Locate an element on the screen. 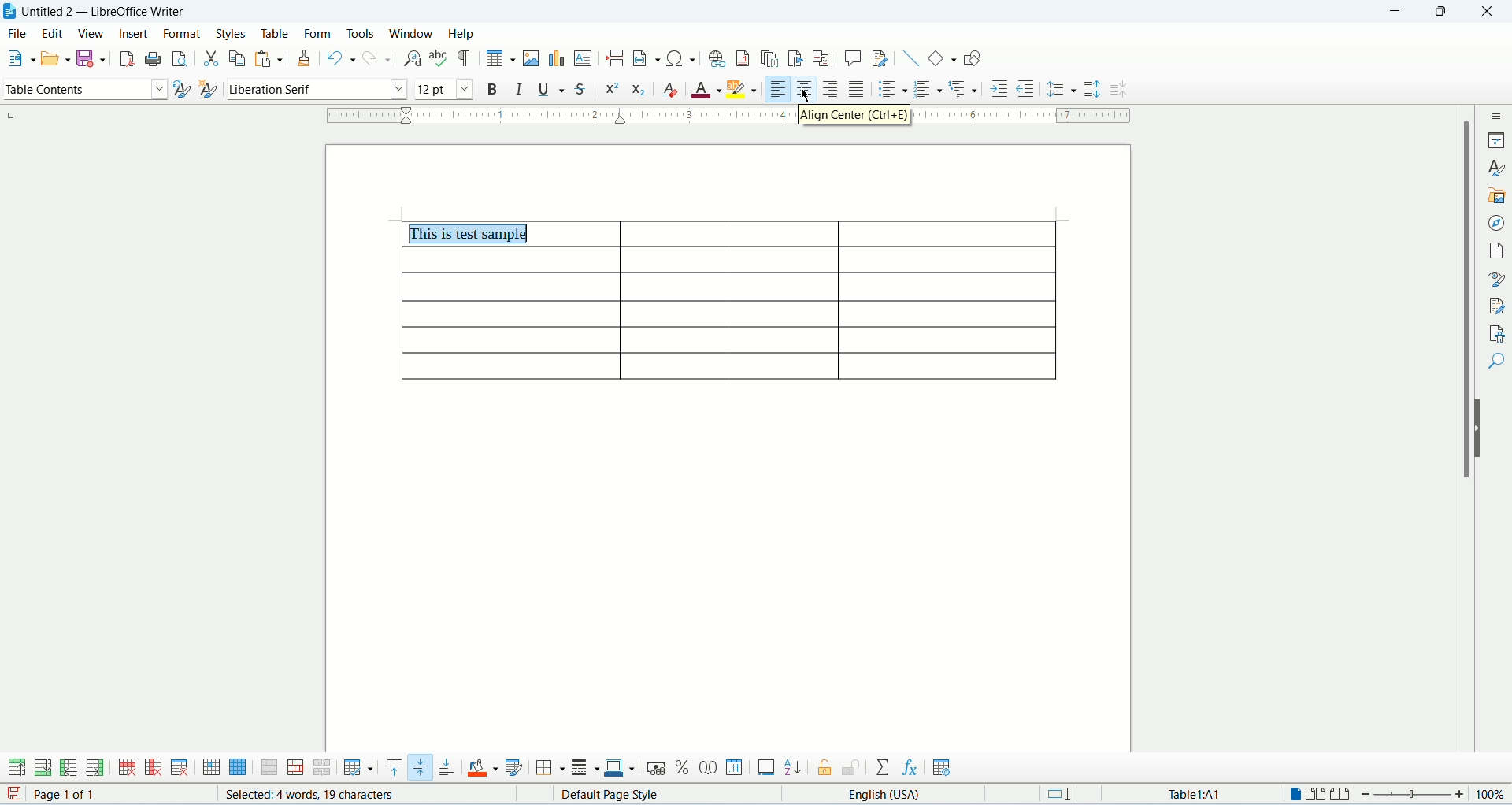 This screenshot has height=805, width=1512. book view is located at coordinates (1343, 795).